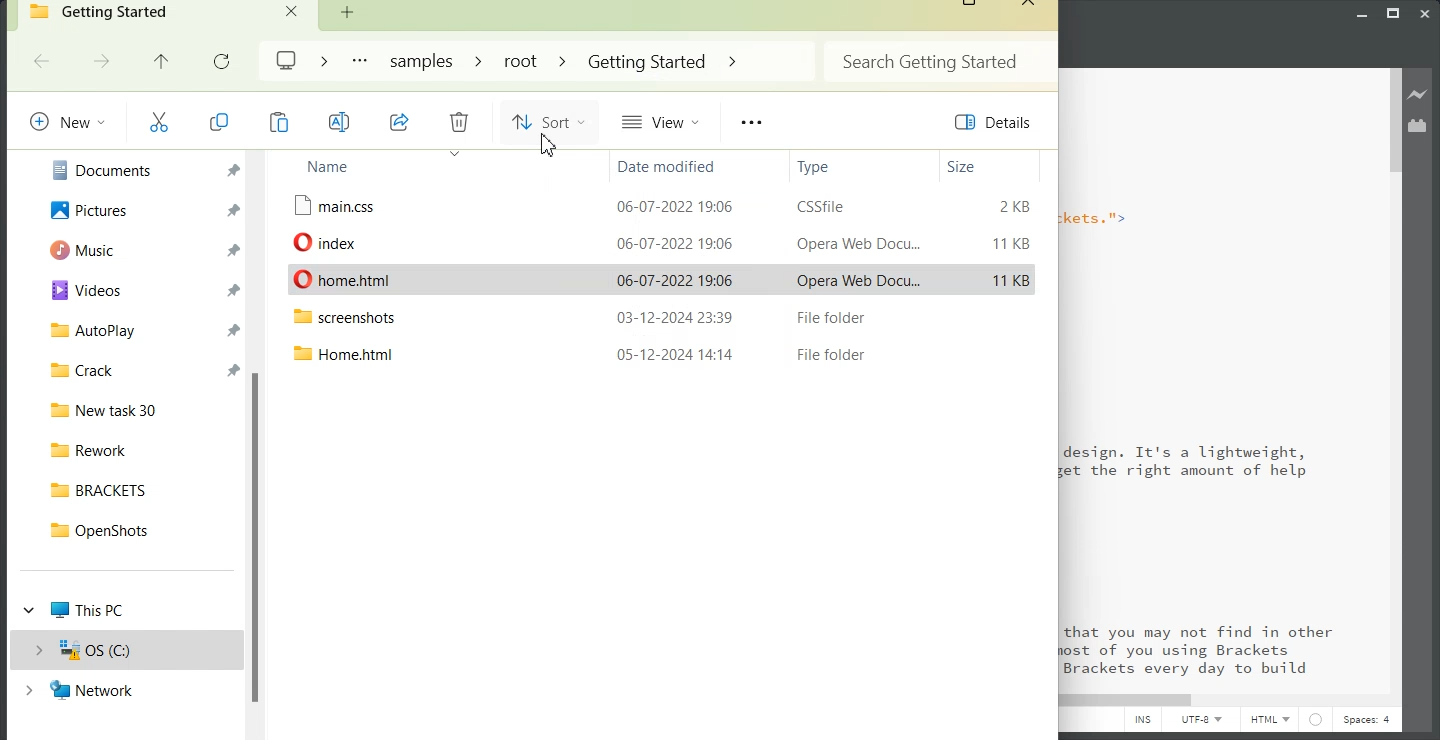 The image size is (1440, 740). What do you see at coordinates (137, 410) in the screenshot?
I see `New task 30 File` at bounding box center [137, 410].